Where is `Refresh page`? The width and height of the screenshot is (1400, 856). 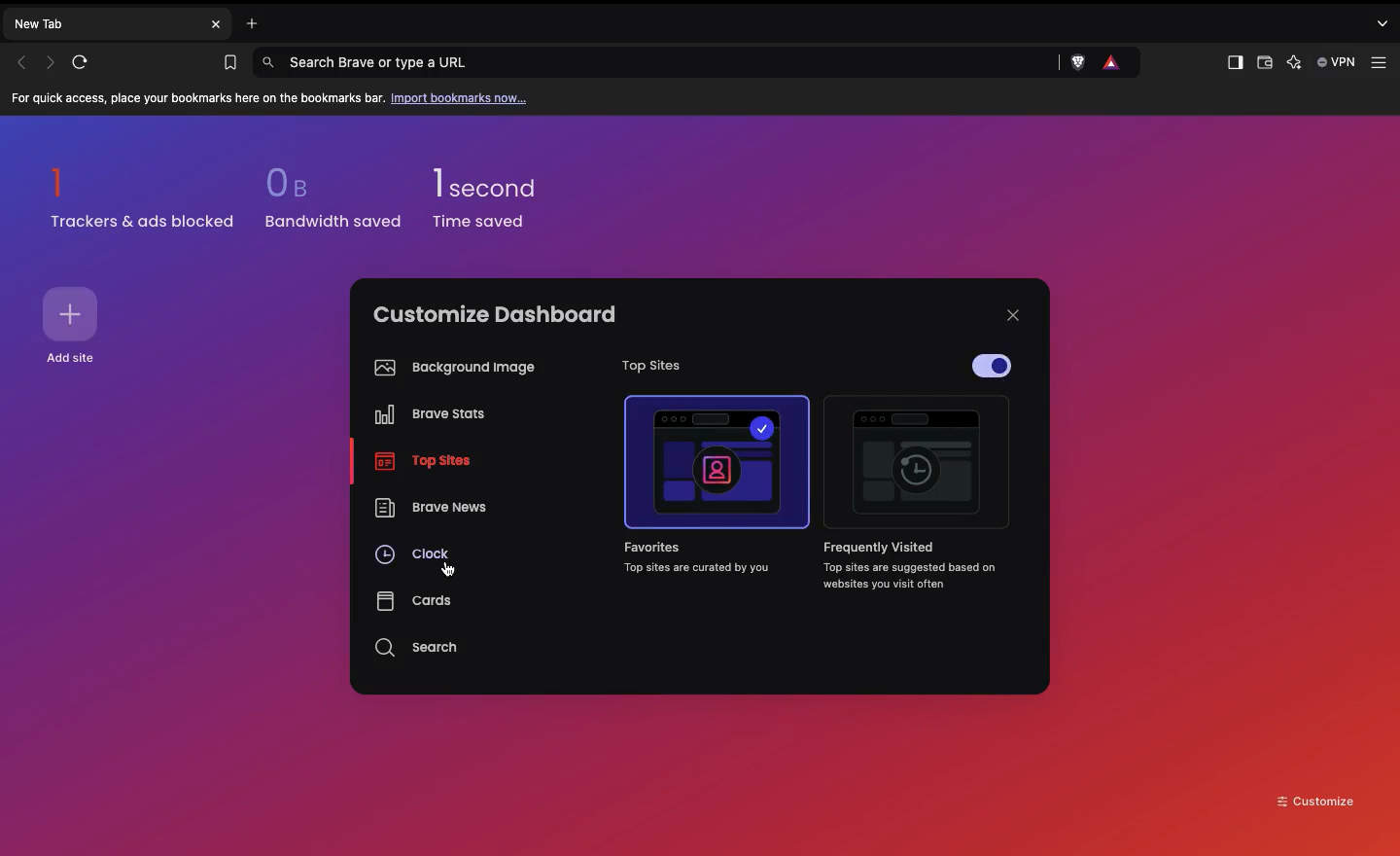
Refresh page is located at coordinates (87, 62).